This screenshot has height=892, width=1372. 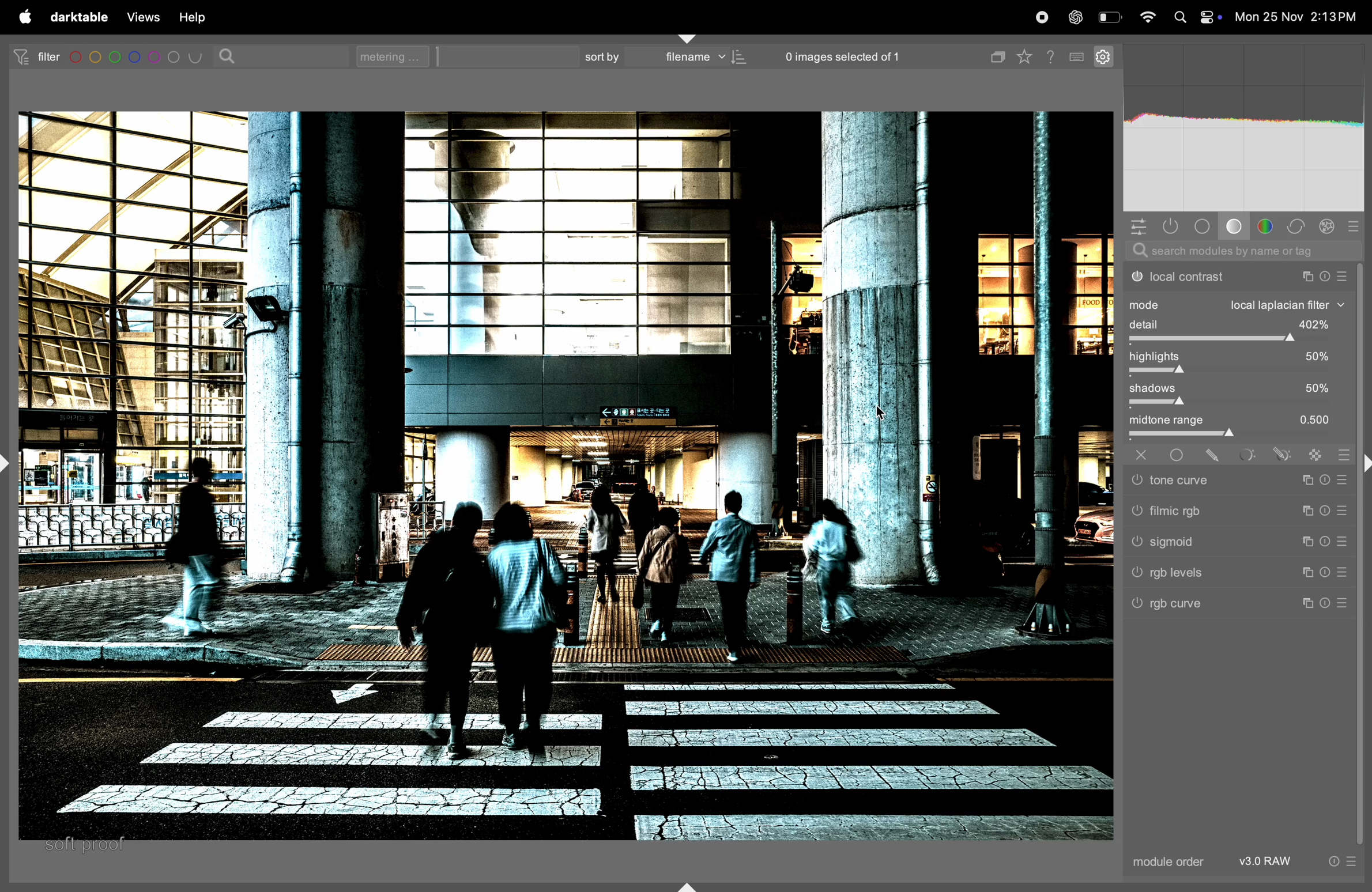 What do you see at coordinates (1178, 456) in the screenshot?
I see `uniformly` at bounding box center [1178, 456].